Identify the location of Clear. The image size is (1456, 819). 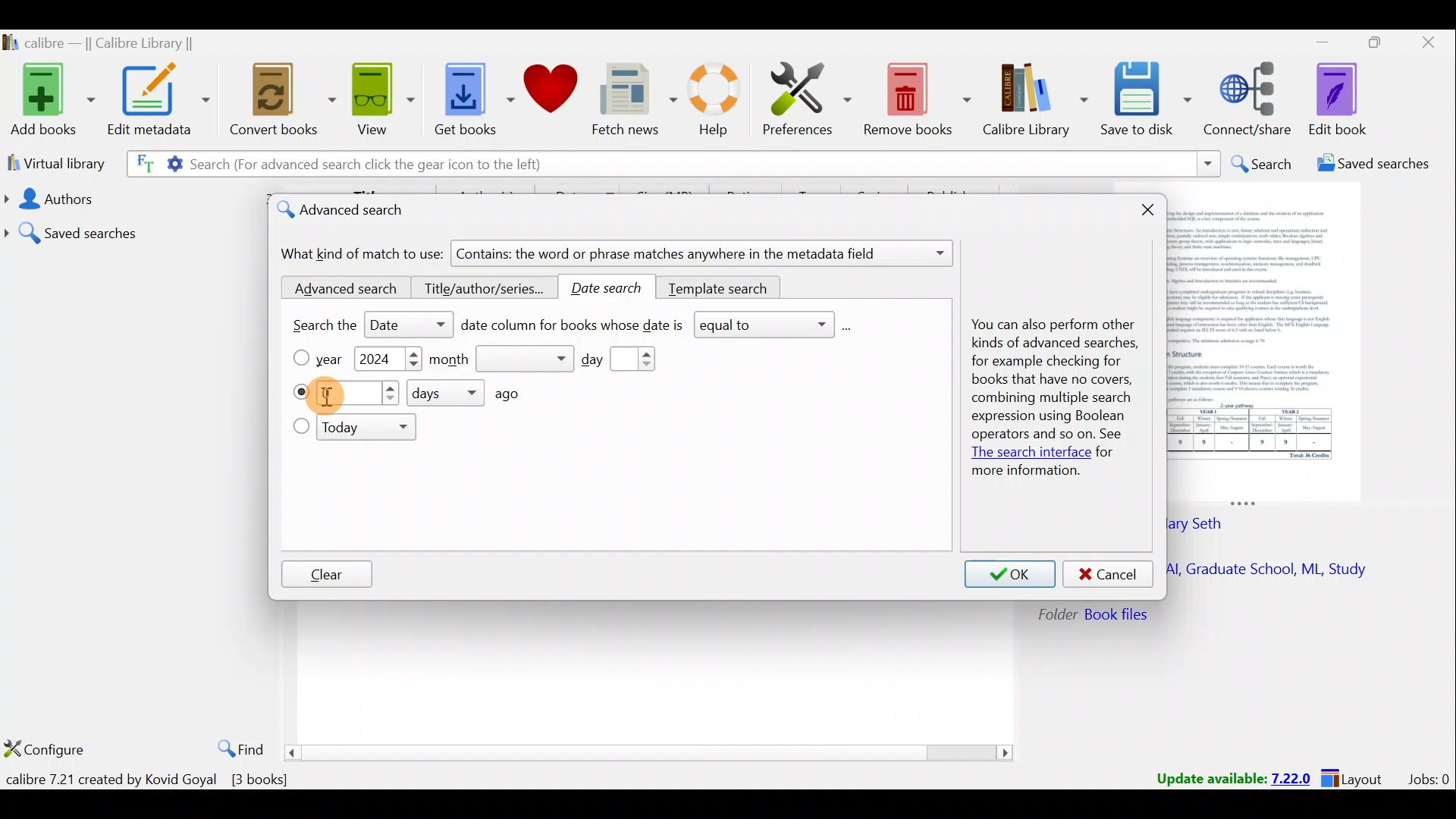
(327, 576).